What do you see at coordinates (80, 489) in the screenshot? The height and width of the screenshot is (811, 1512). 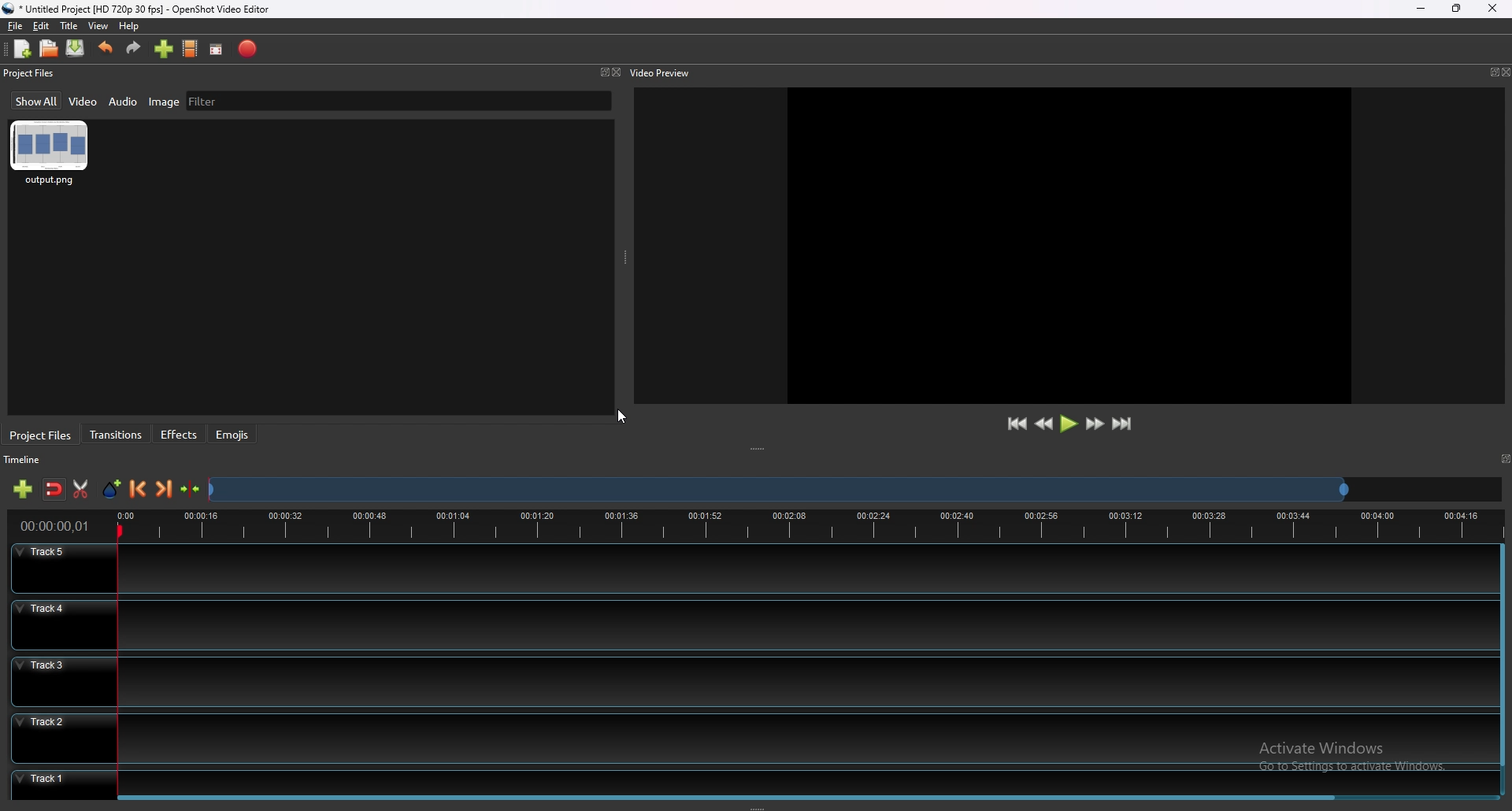 I see `enable razor` at bounding box center [80, 489].